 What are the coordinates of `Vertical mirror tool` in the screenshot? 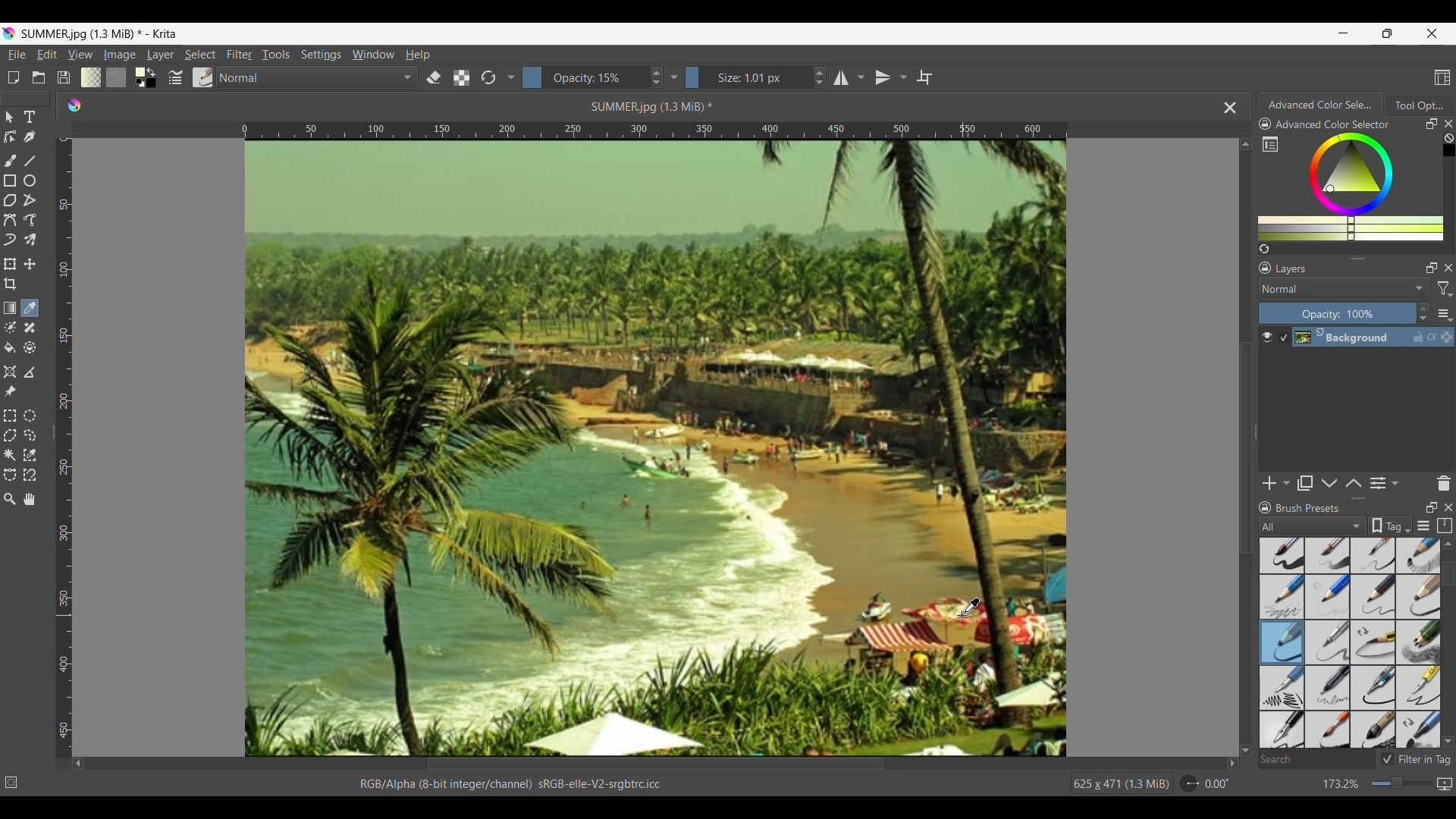 It's located at (882, 77).